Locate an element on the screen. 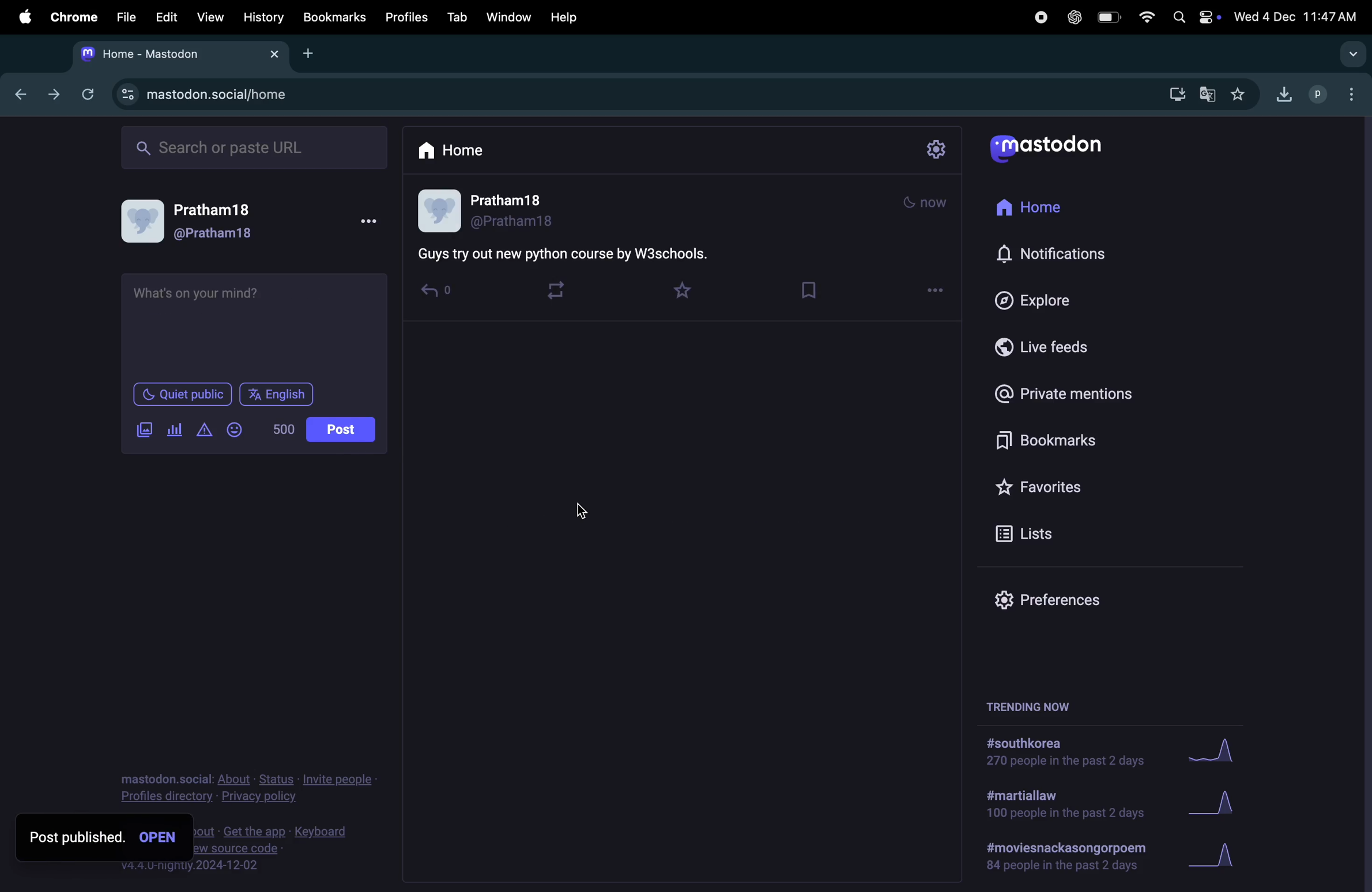 The image size is (1372, 892). Help is located at coordinates (568, 17).